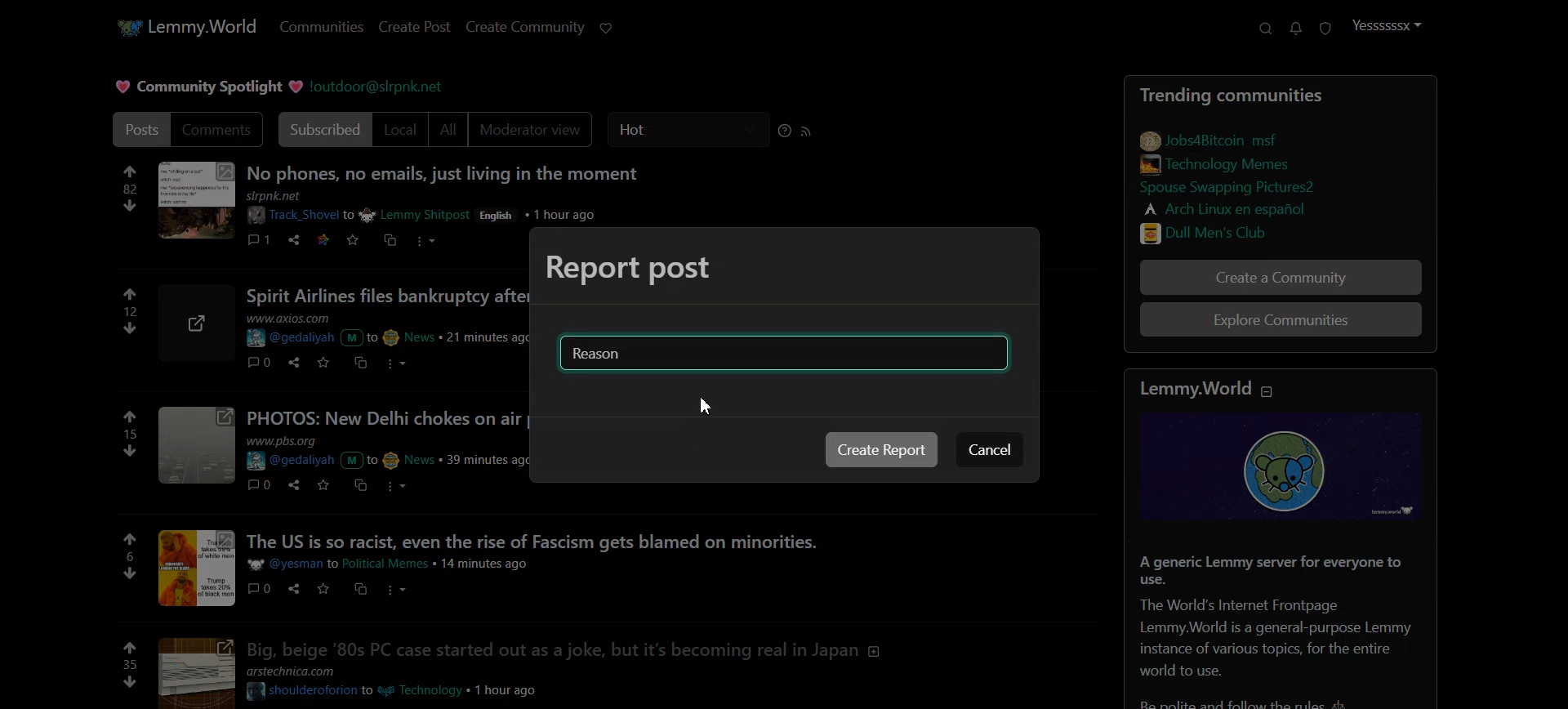 The width and height of the screenshot is (1568, 709). What do you see at coordinates (352, 241) in the screenshot?
I see `save` at bounding box center [352, 241].